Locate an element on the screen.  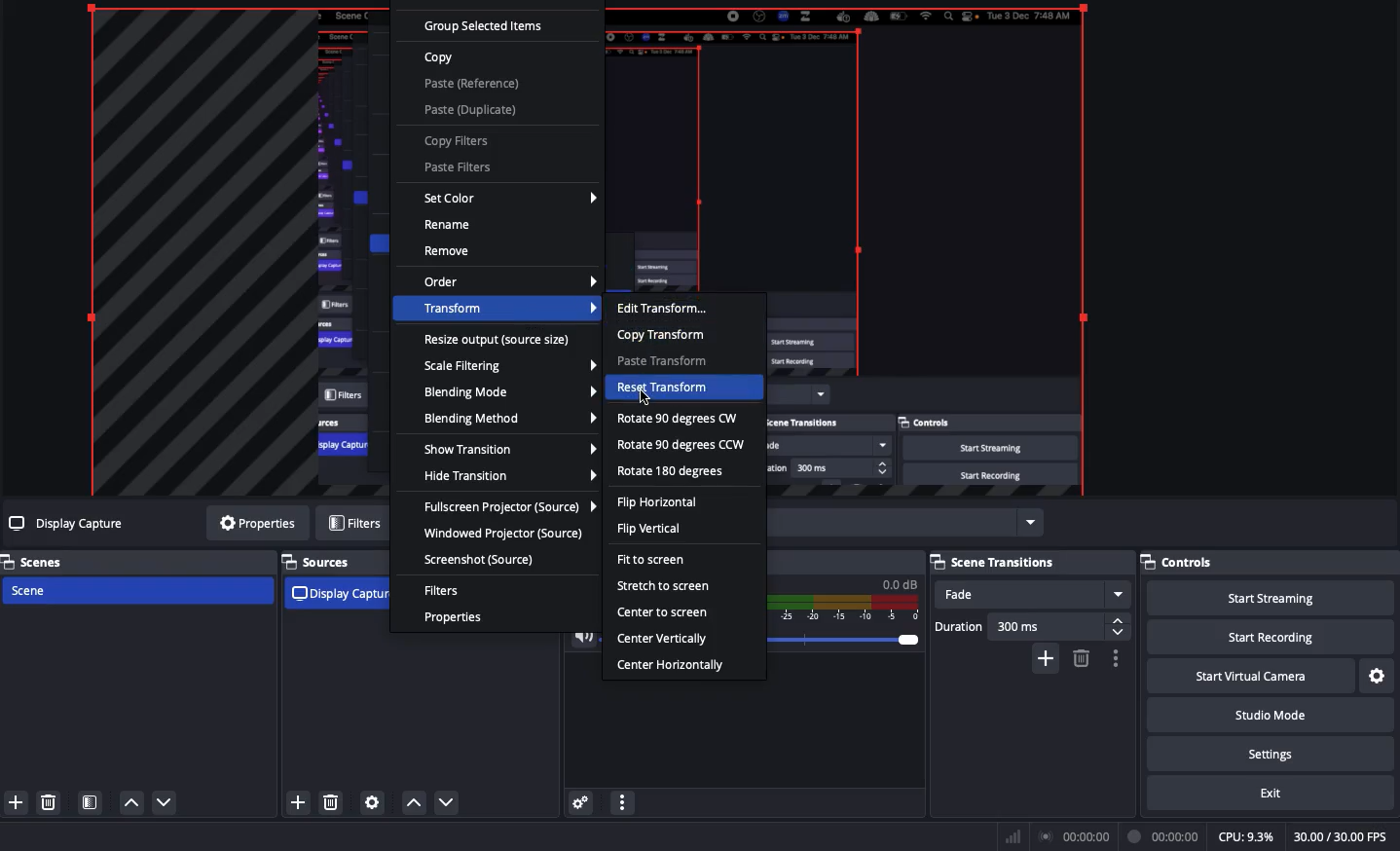
Scale filtering  is located at coordinates (505, 366).